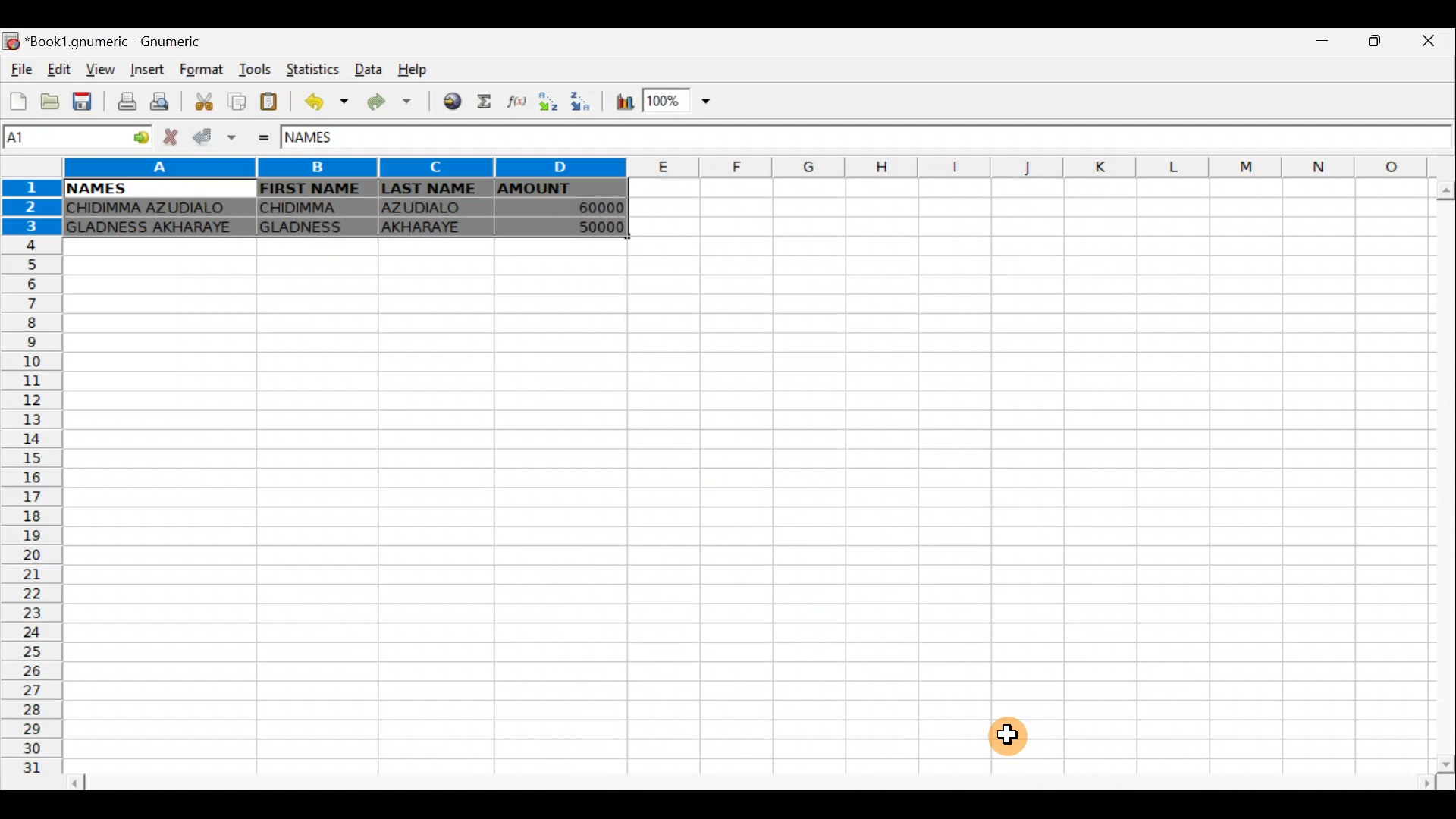 The width and height of the screenshot is (1456, 819). I want to click on Save current workbook, so click(85, 100).